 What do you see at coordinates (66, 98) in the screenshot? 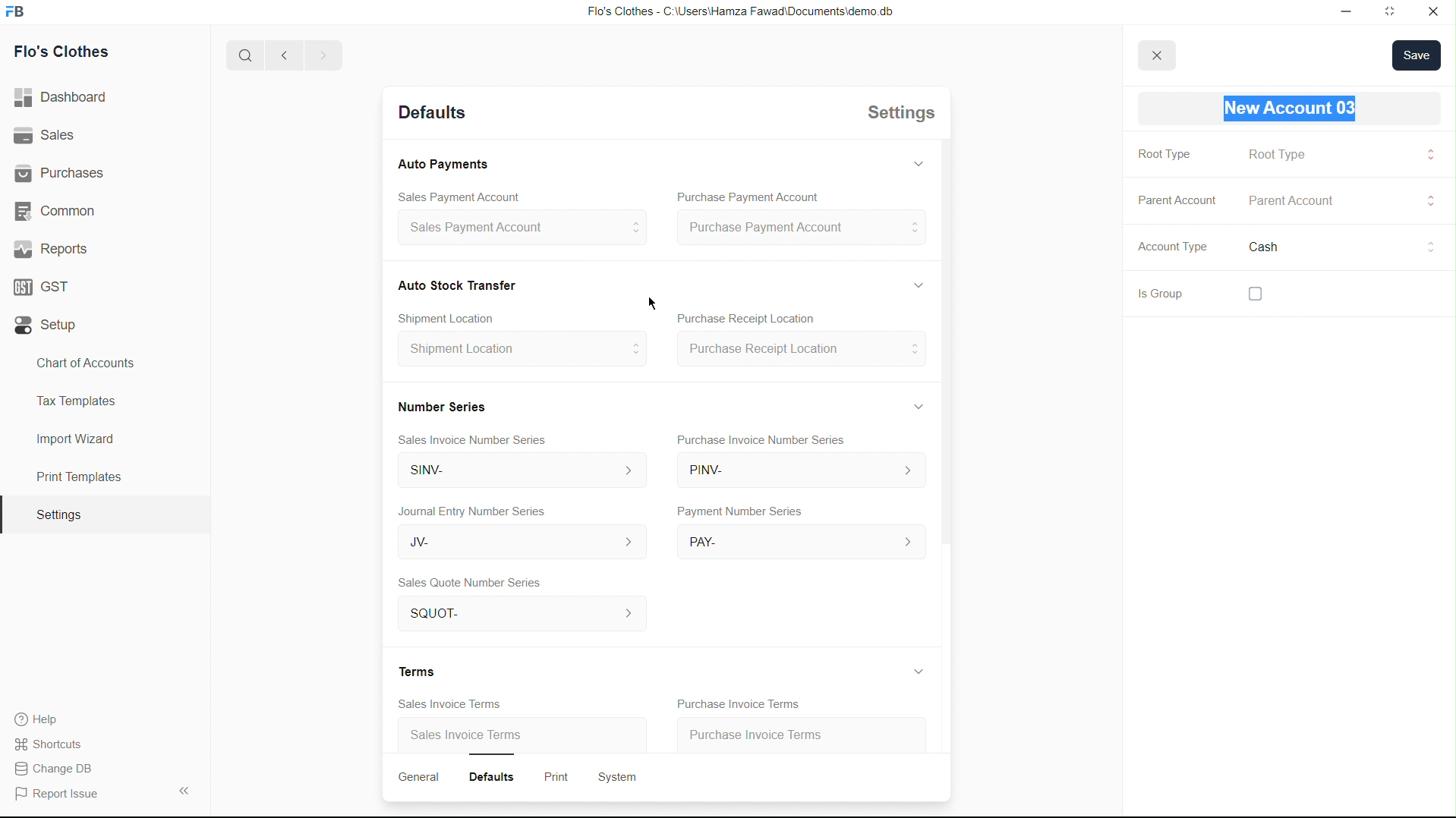
I see `Dashboard` at bounding box center [66, 98].